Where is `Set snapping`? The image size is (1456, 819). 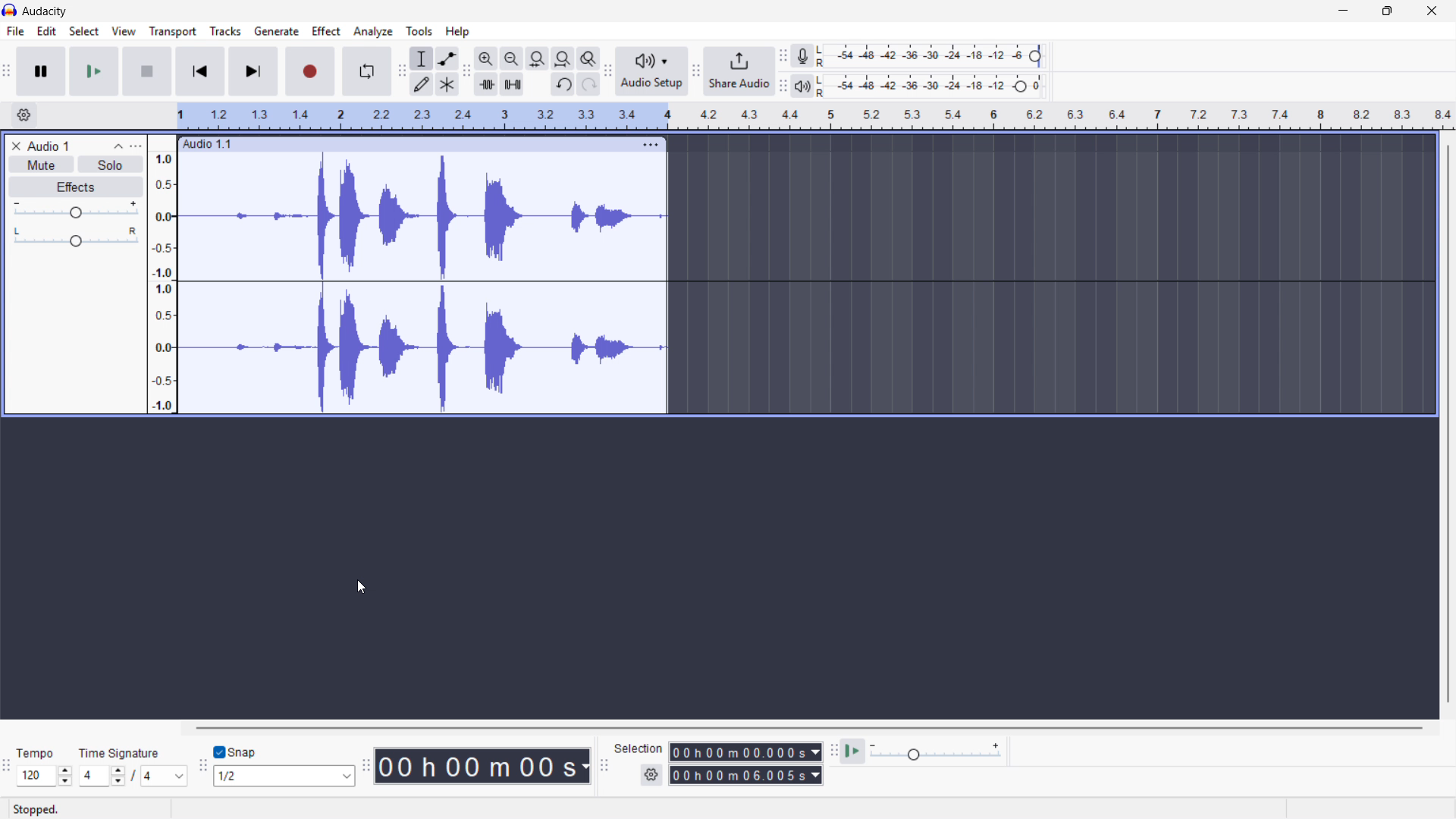
Set snapping is located at coordinates (284, 776).